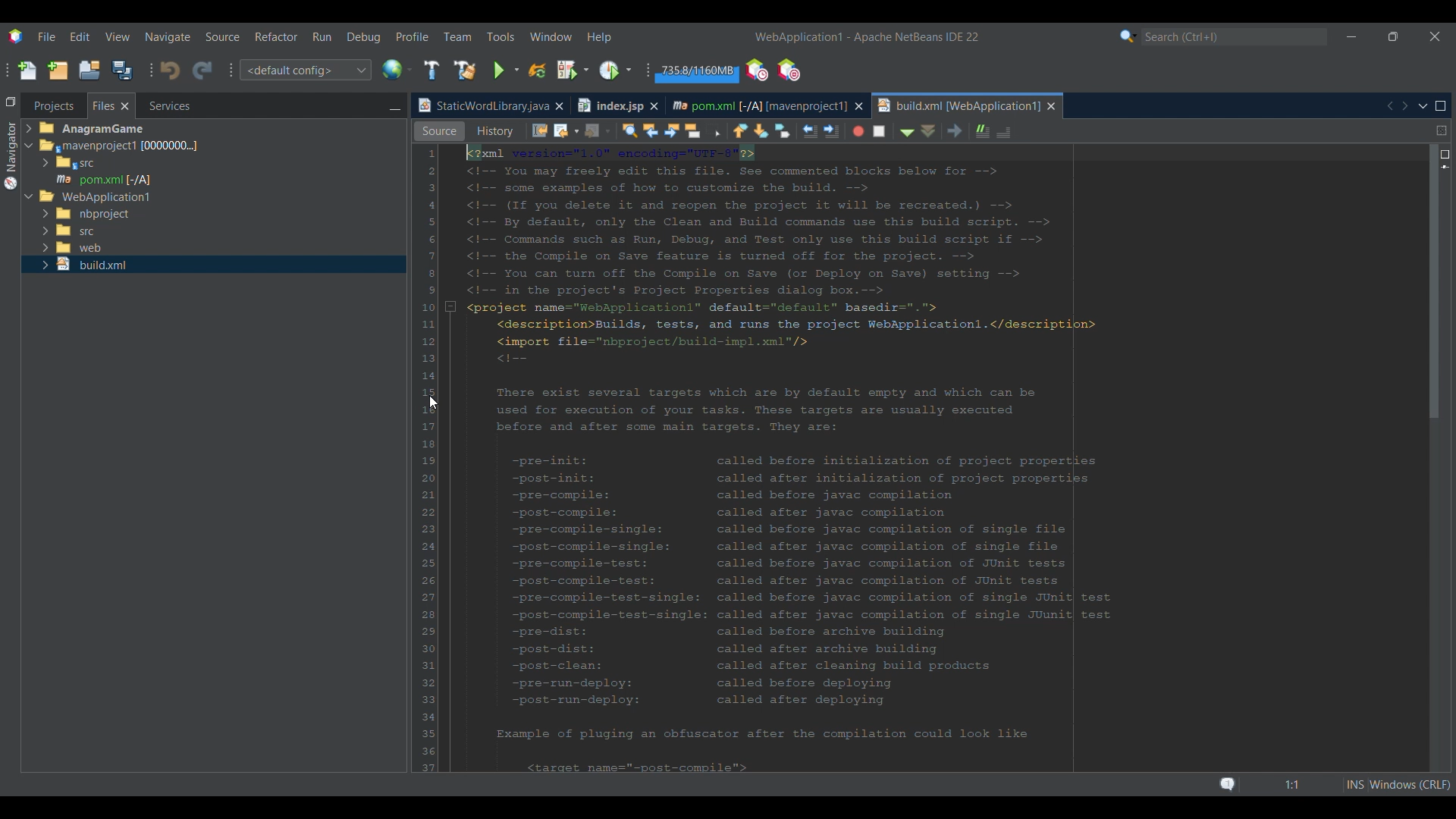 Image resolution: width=1456 pixels, height=819 pixels. I want to click on Minimize, so click(394, 107).